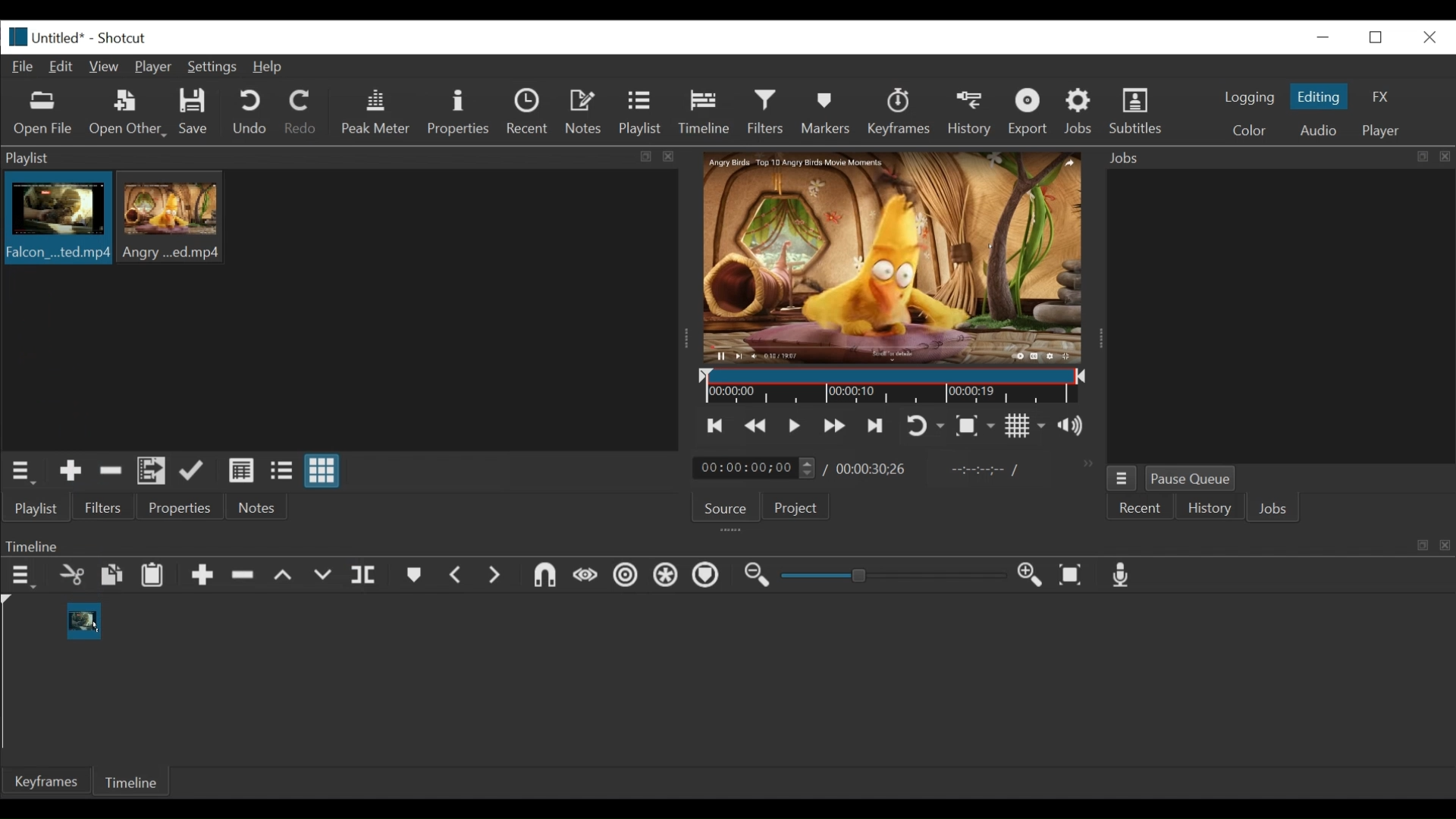  Describe the element at coordinates (334, 158) in the screenshot. I see `playlist panel` at that location.